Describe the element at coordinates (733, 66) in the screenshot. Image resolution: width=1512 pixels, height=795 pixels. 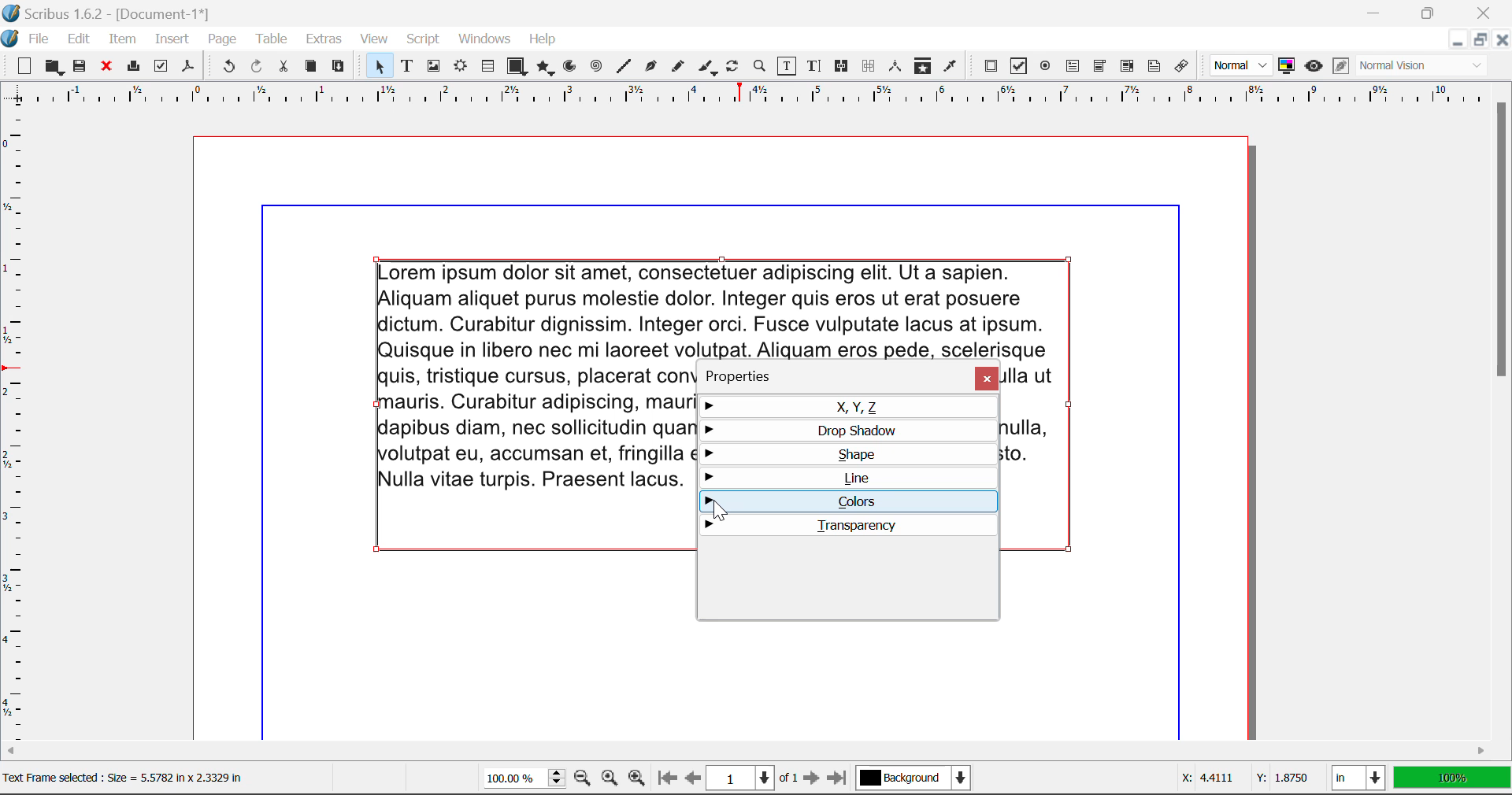
I see `Rotate` at that location.